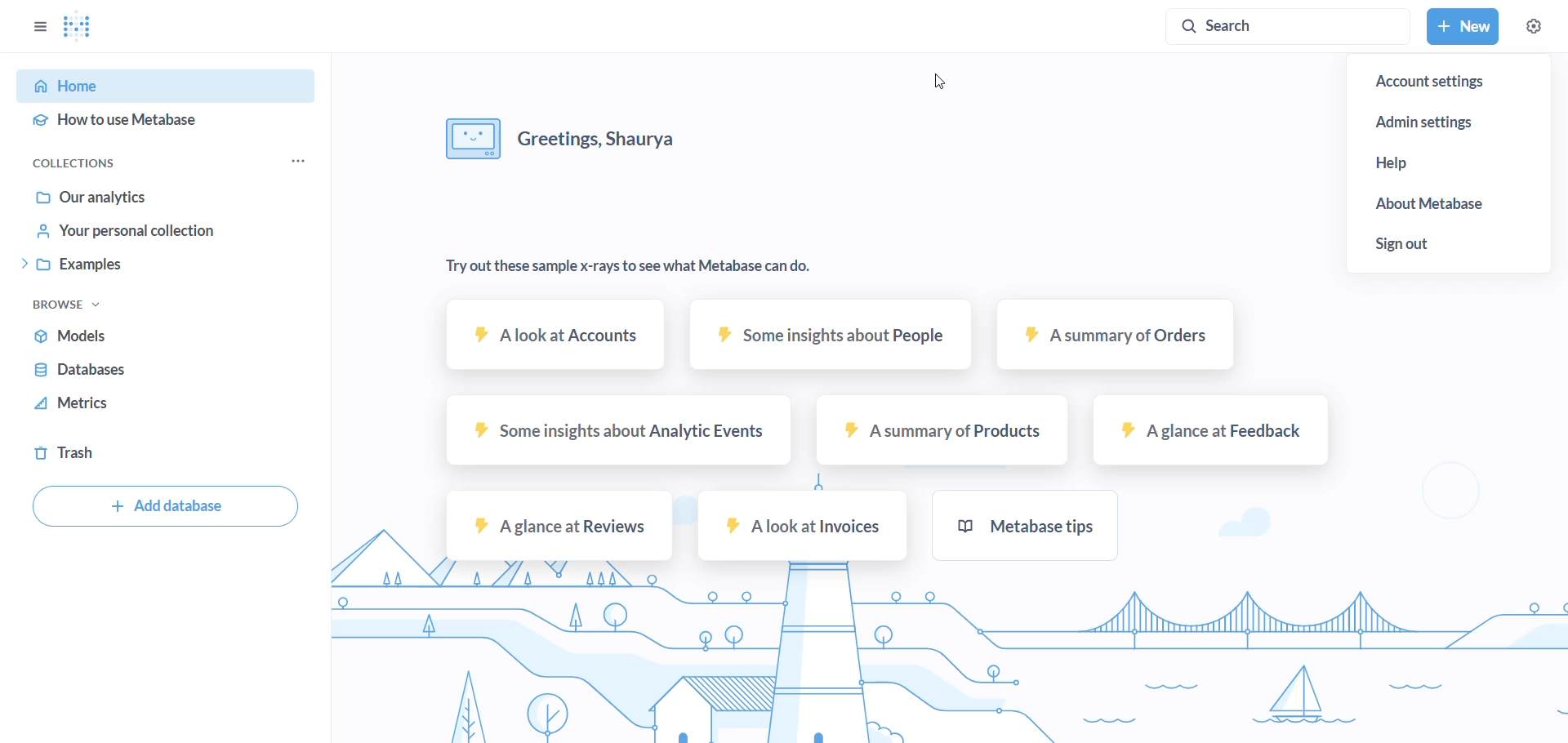 Image resolution: width=1568 pixels, height=743 pixels. What do you see at coordinates (131, 233) in the screenshot?
I see `your personal collection` at bounding box center [131, 233].